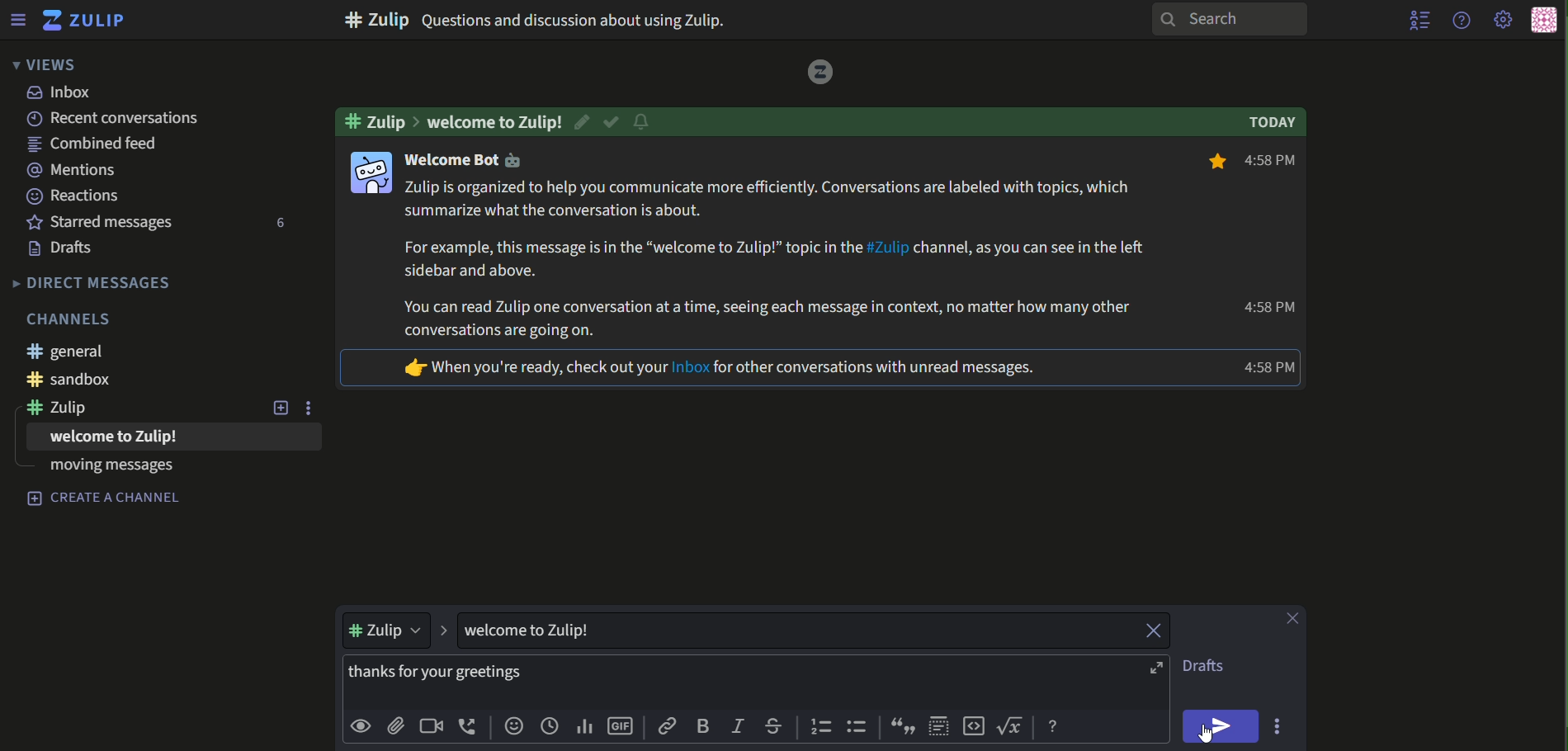  What do you see at coordinates (1145, 630) in the screenshot?
I see `close` at bounding box center [1145, 630].